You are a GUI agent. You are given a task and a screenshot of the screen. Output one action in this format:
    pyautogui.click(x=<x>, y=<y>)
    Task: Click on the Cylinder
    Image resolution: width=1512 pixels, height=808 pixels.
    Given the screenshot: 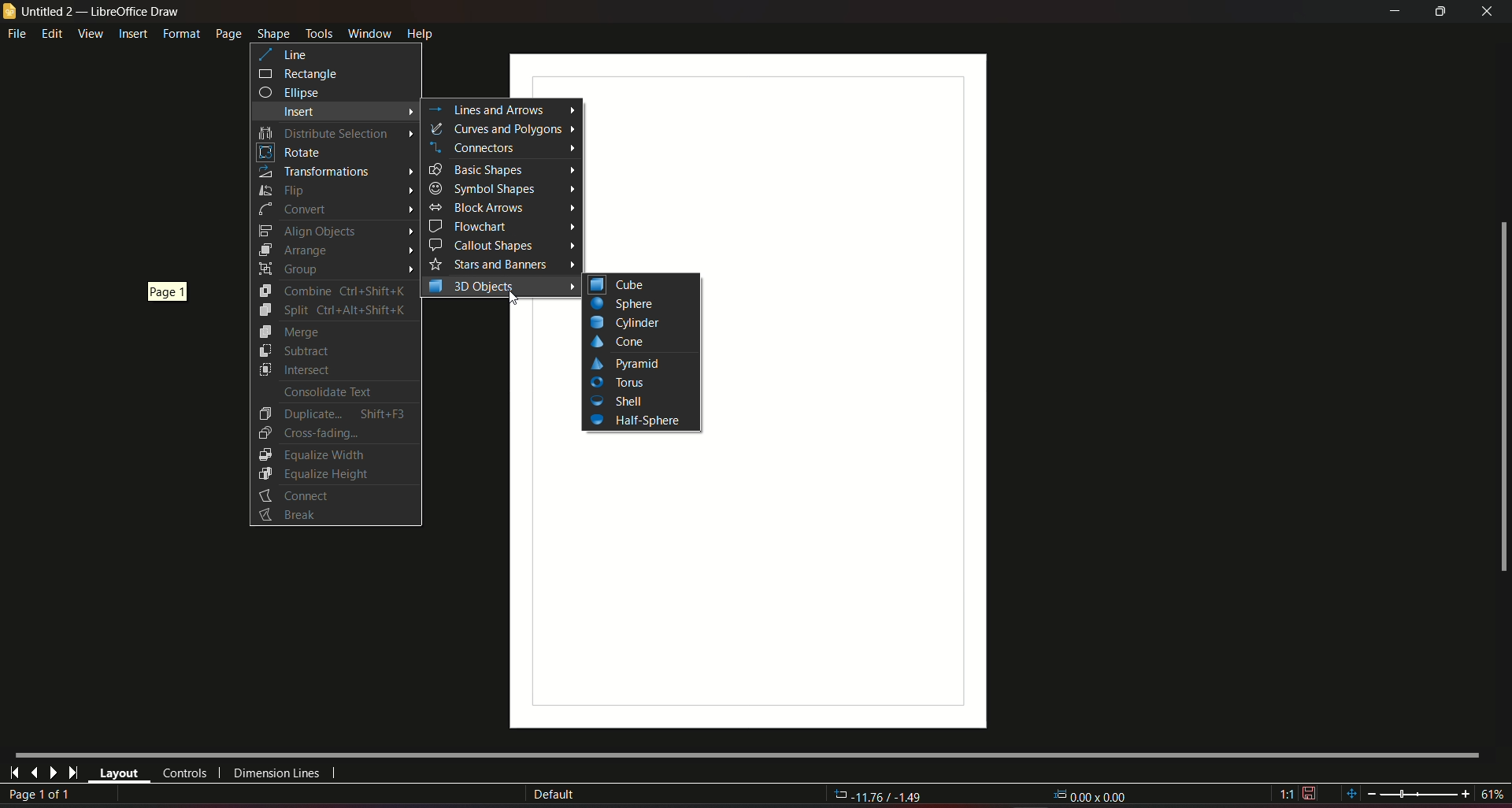 What is the action you would take?
    pyautogui.click(x=624, y=322)
    